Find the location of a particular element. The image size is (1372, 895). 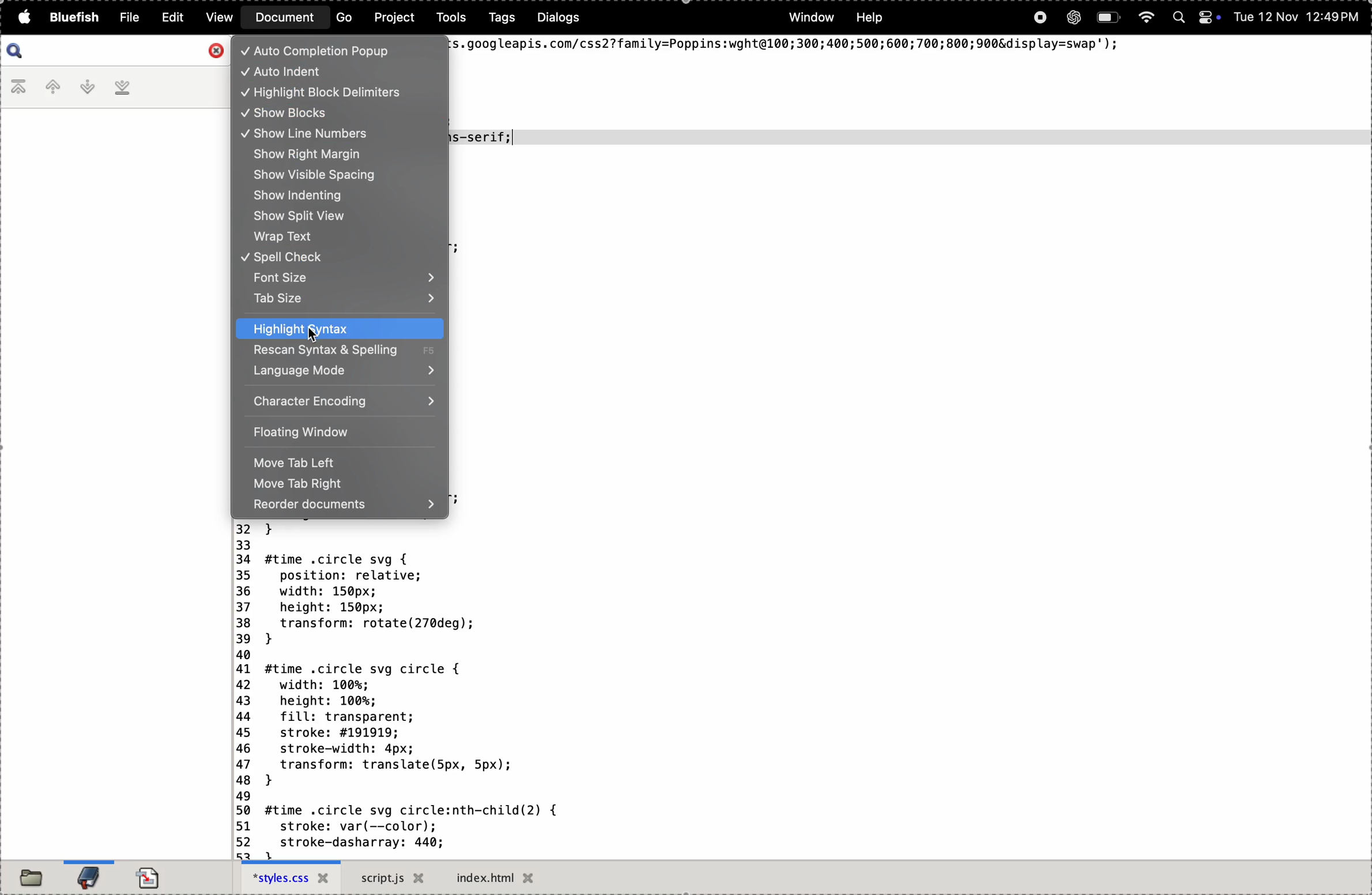

move tab right is located at coordinates (340, 486).